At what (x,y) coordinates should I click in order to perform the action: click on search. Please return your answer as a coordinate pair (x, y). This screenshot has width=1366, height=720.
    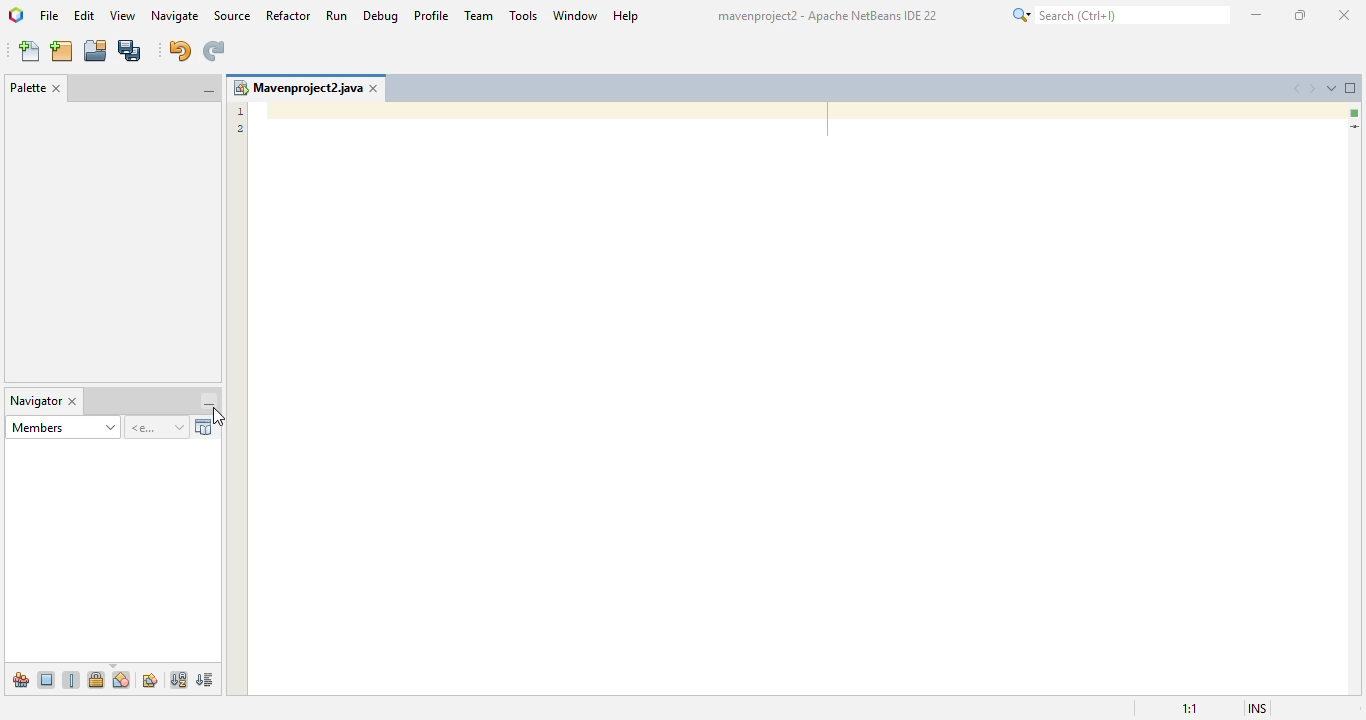
    Looking at the image, I should click on (1120, 14).